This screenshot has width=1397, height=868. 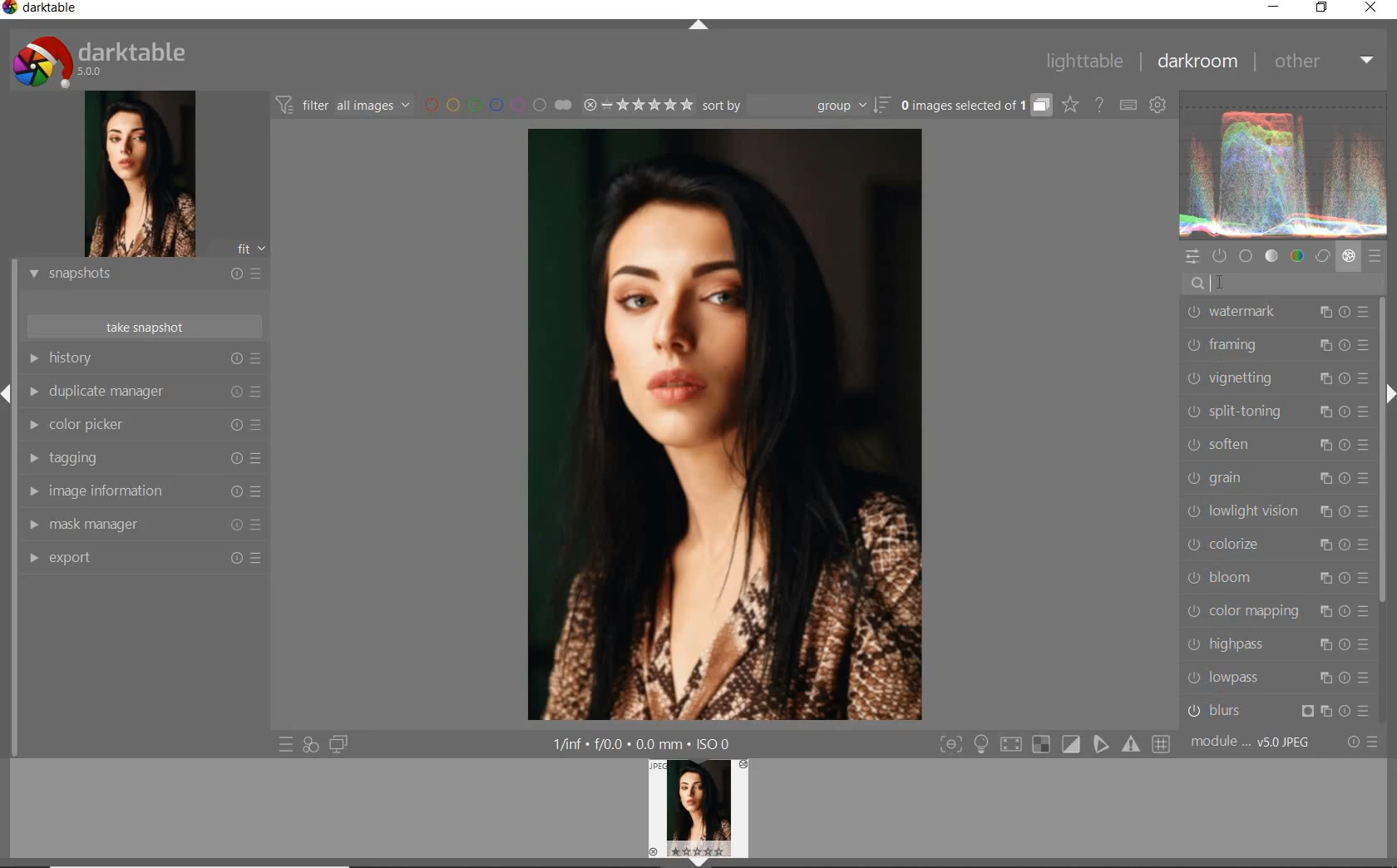 What do you see at coordinates (1195, 259) in the screenshot?
I see `quick access panel` at bounding box center [1195, 259].